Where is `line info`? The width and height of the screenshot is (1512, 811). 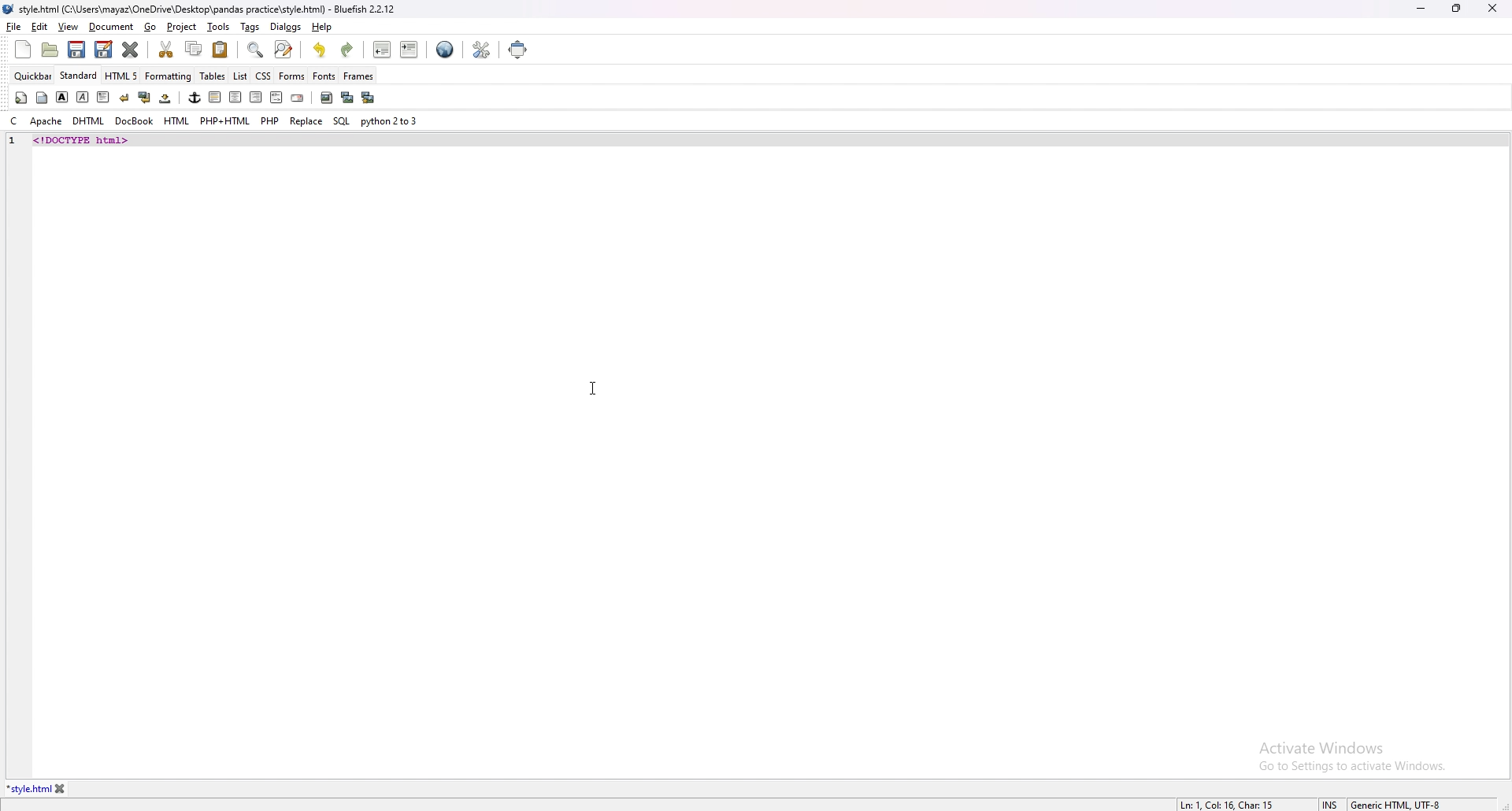 line info is located at coordinates (1226, 803).